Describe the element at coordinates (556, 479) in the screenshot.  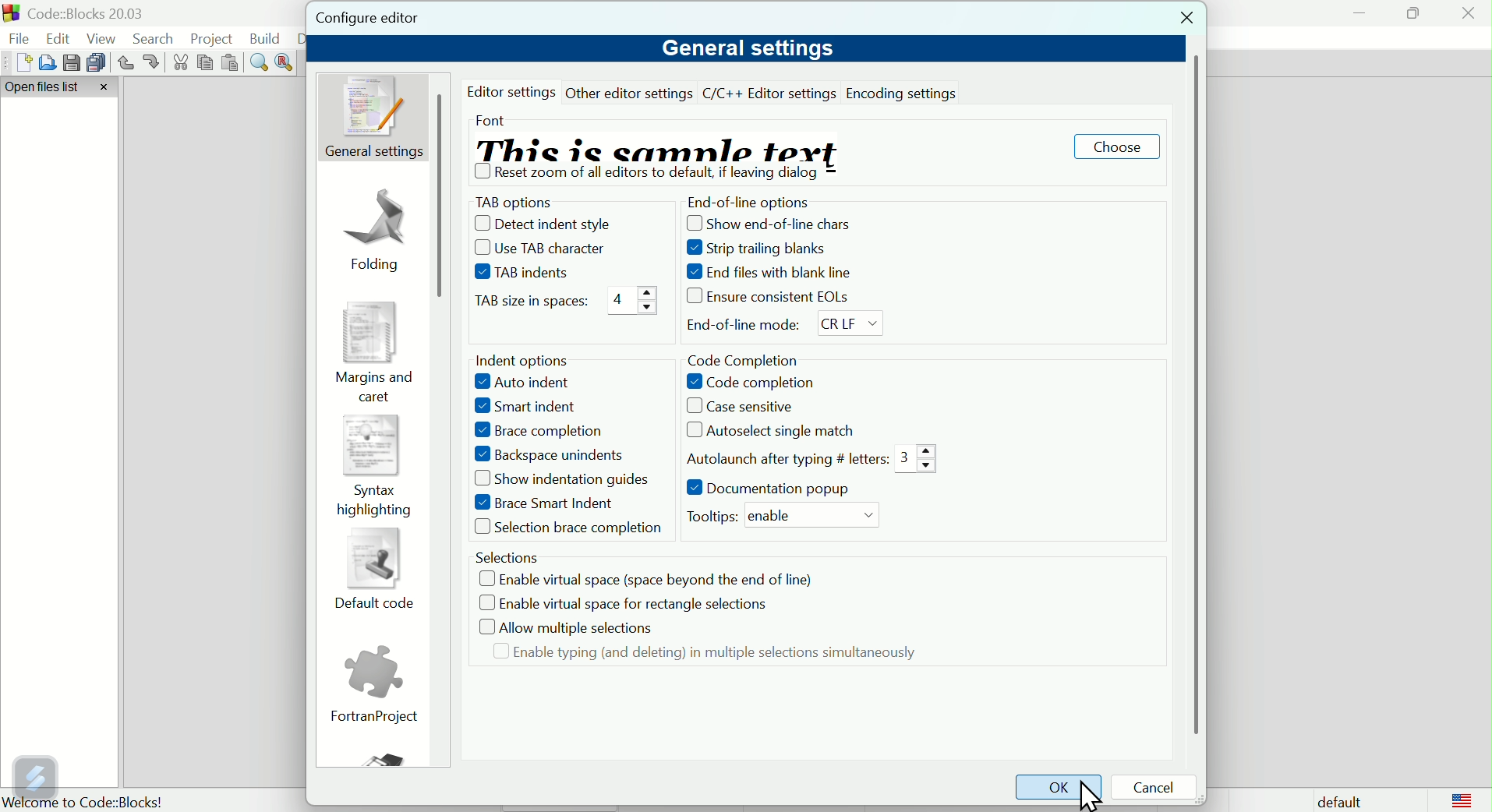
I see `show information guides` at that location.